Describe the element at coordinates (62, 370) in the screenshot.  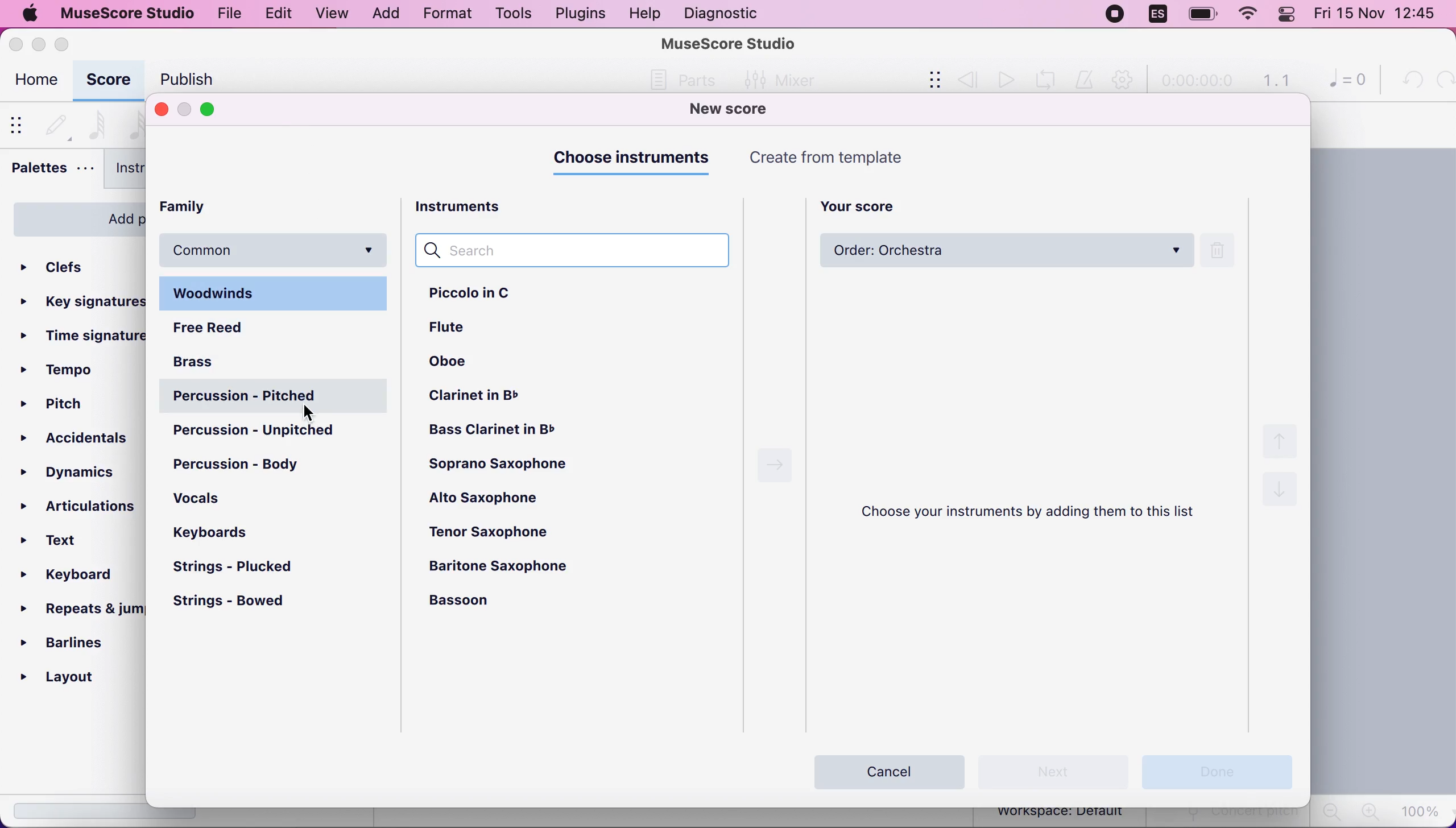
I see `tempo` at that location.